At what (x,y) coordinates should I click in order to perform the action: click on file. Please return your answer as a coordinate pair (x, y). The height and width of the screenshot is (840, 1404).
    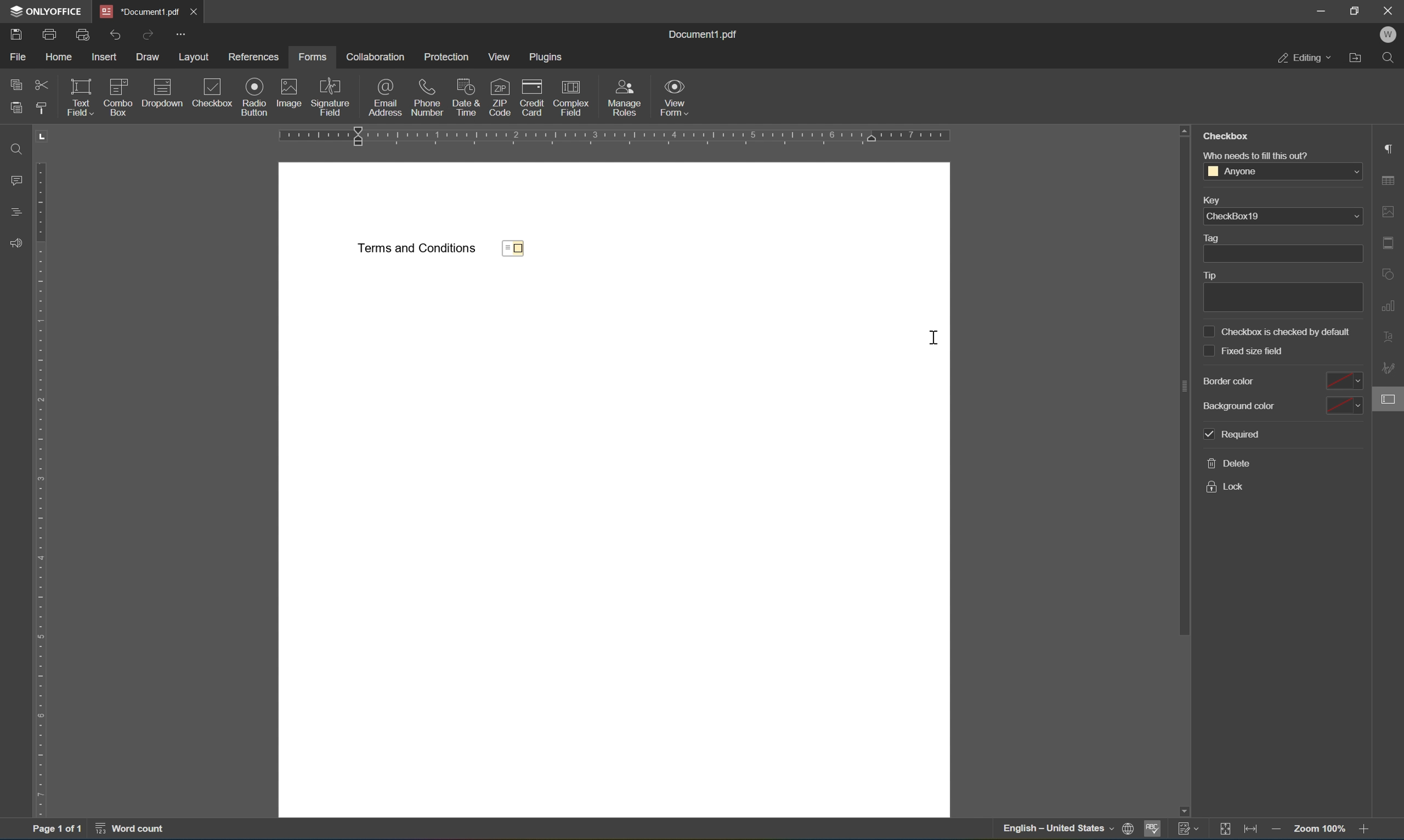
    Looking at the image, I should click on (20, 56).